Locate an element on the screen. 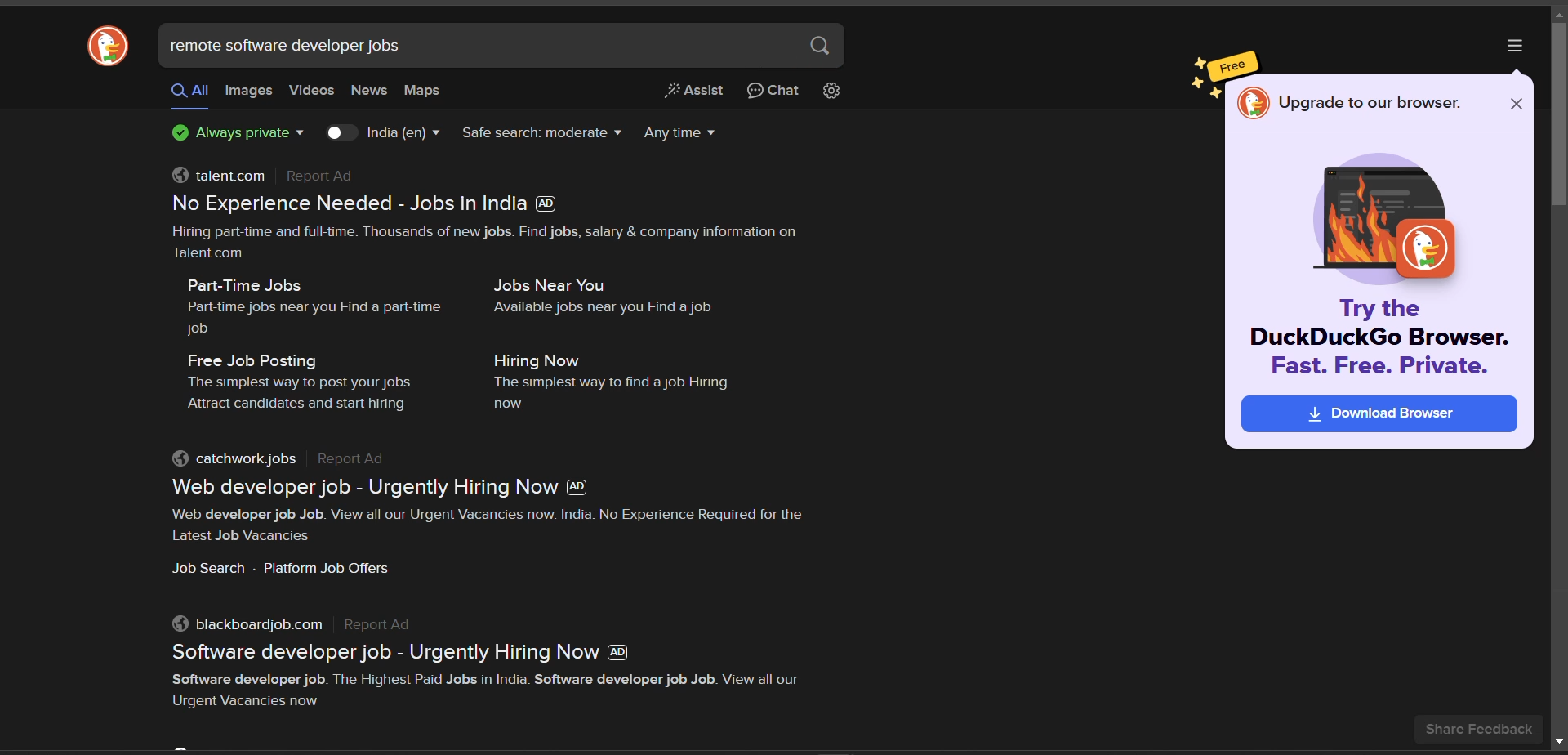 Image resolution: width=1568 pixels, height=755 pixels. Hiring part-time and full-time. Thousands of new jobs. Find jobs, salary & company information on Talent.com is located at coordinates (480, 241).